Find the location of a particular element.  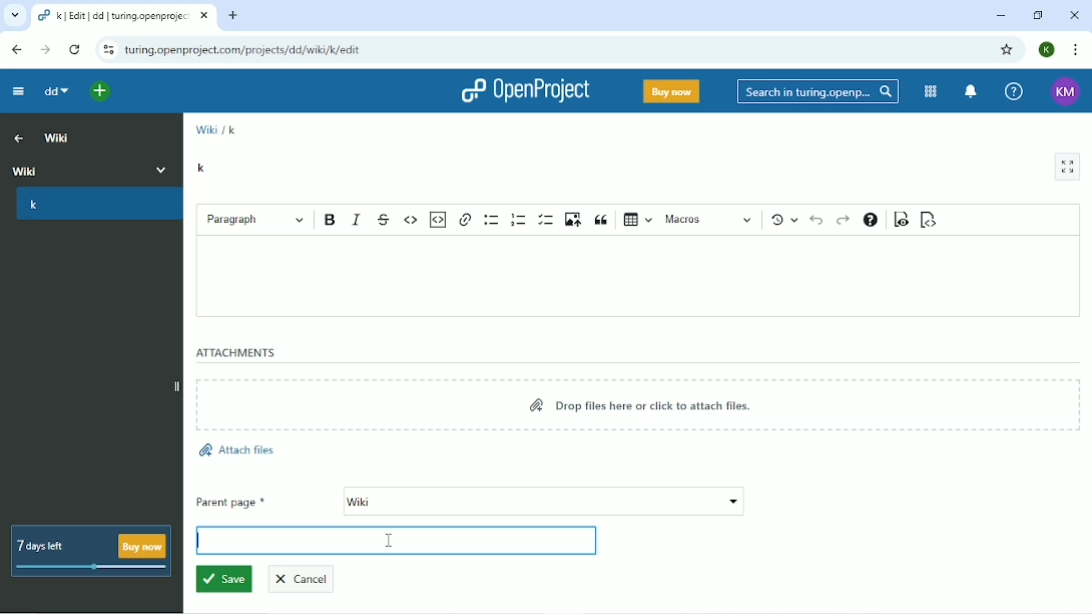

Wiki is located at coordinates (58, 137).